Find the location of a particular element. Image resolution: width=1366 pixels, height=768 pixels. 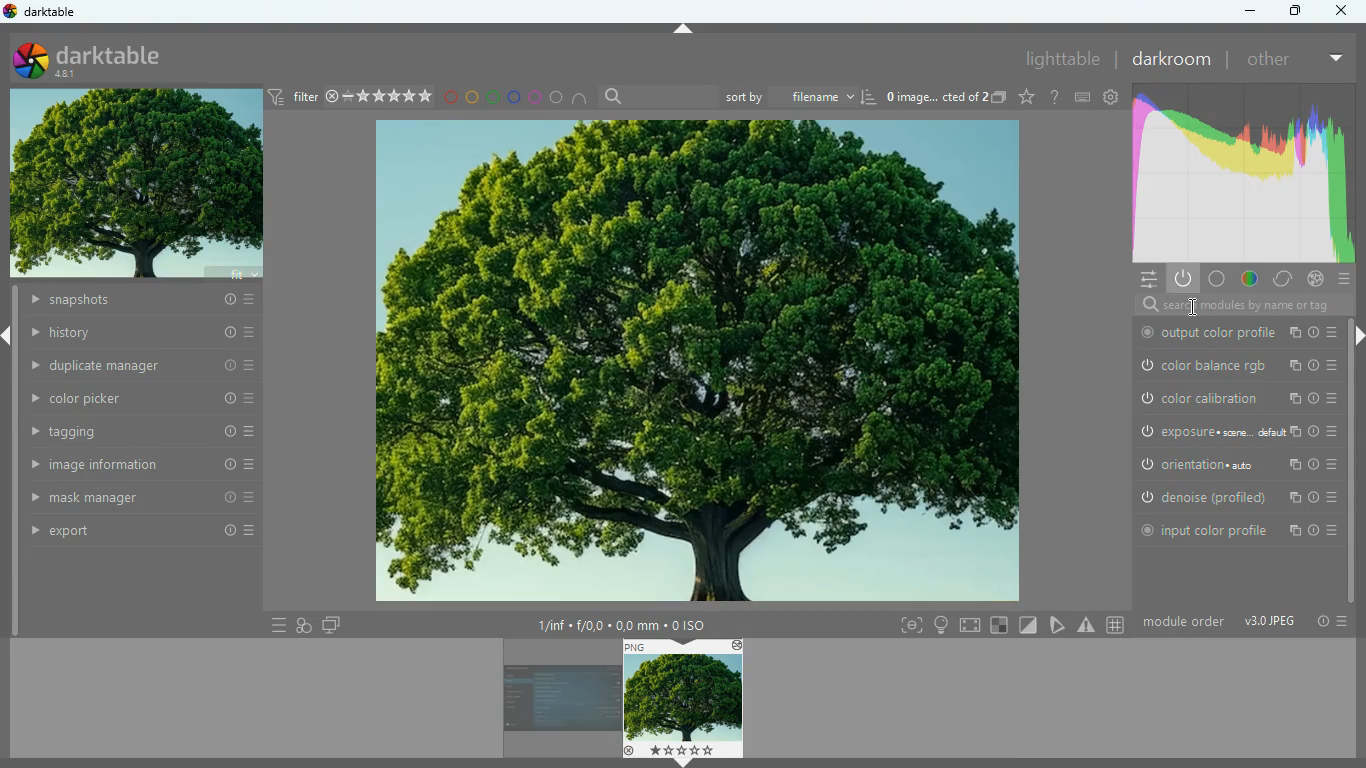

exposure is located at coordinates (1233, 431).